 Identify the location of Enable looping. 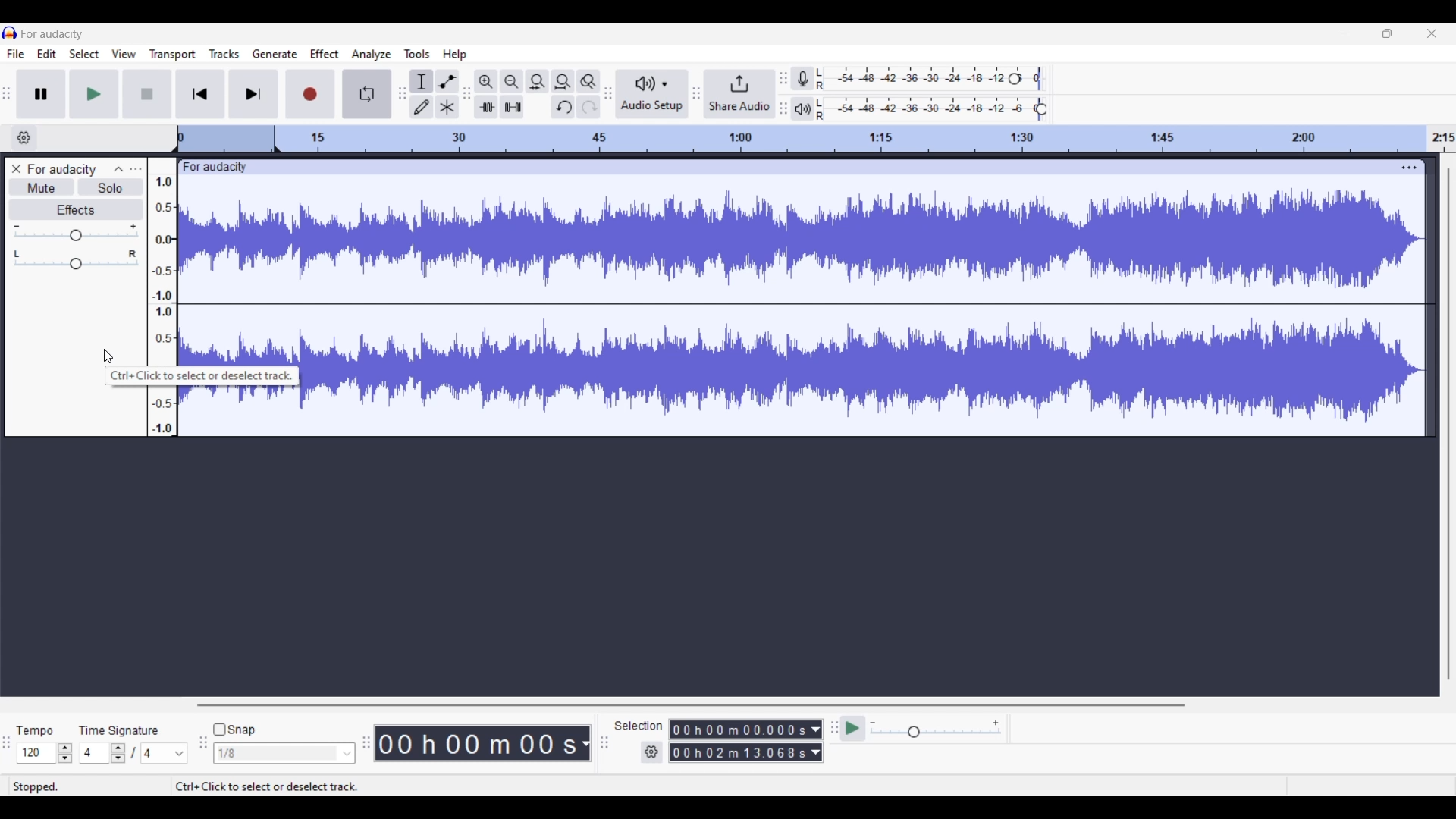
(367, 94).